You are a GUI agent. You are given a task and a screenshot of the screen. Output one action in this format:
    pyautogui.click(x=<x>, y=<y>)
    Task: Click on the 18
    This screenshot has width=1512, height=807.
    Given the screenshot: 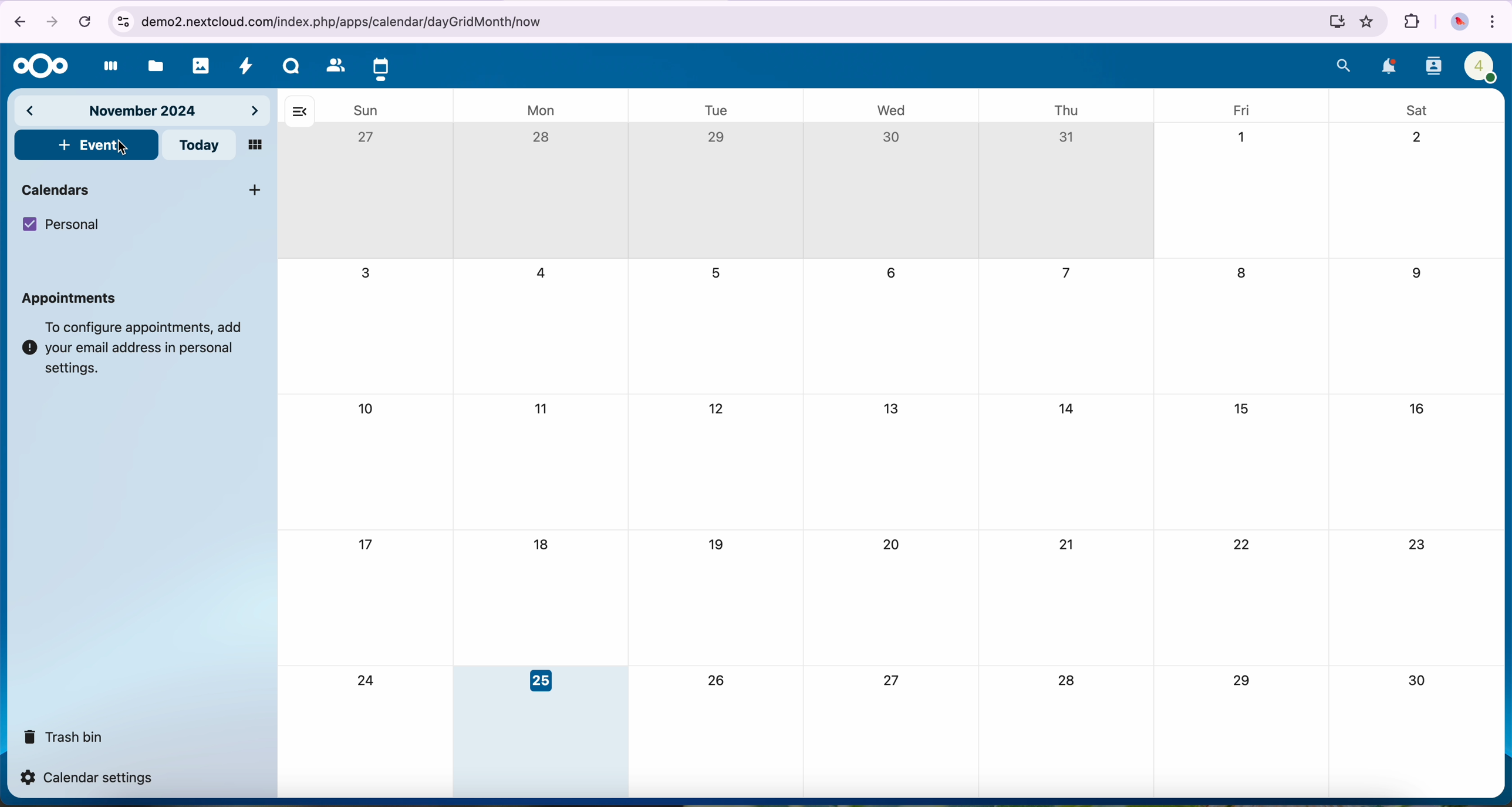 What is the action you would take?
    pyautogui.click(x=539, y=545)
    